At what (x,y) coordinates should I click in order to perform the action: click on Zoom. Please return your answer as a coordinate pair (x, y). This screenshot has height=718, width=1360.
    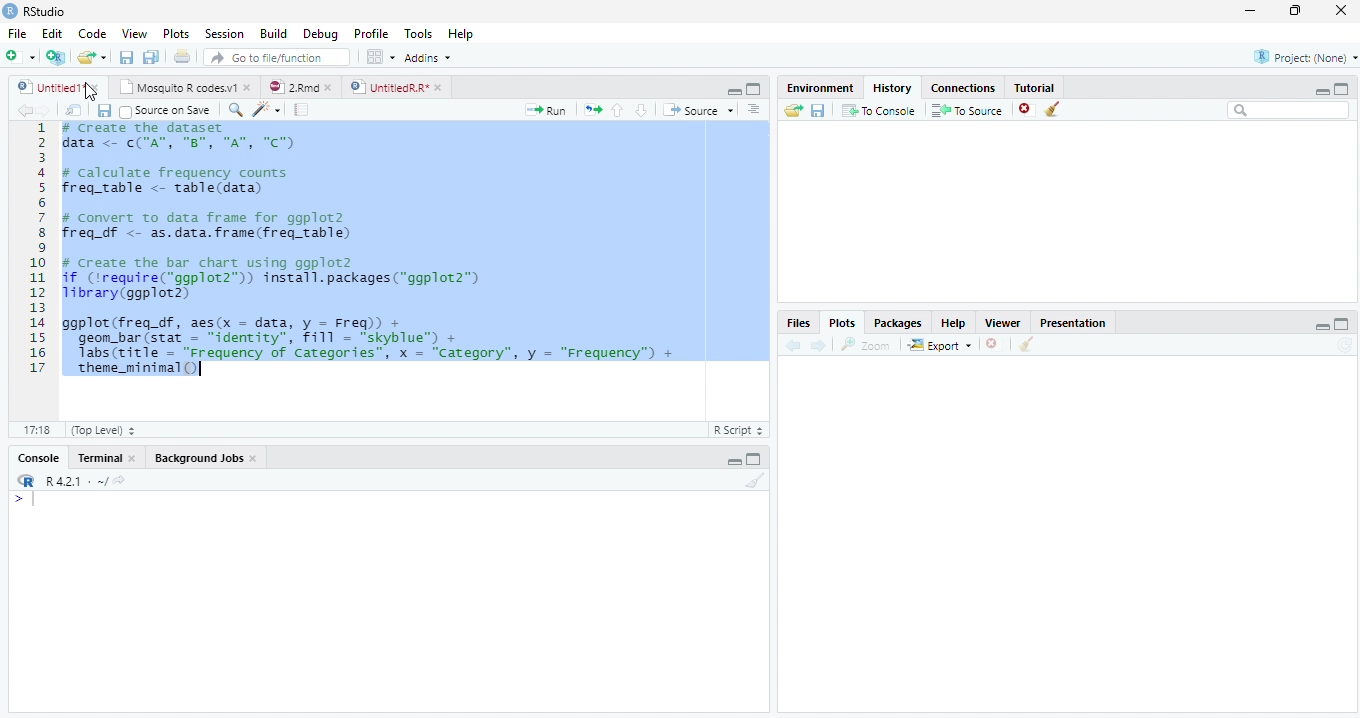
    Looking at the image, I should click on (867, 347).